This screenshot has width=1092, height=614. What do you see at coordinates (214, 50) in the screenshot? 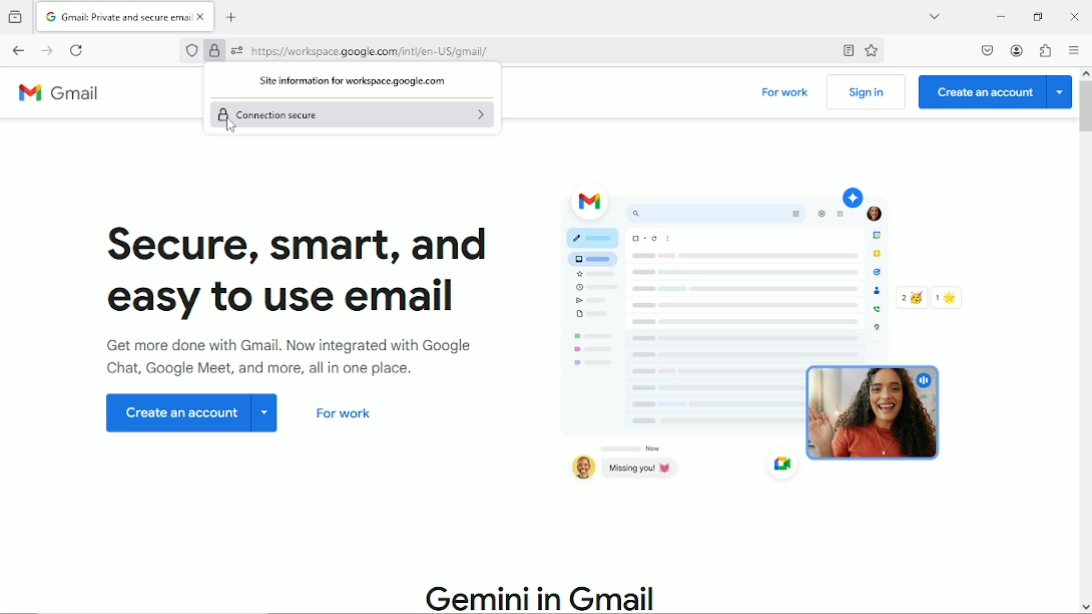
I see `Verified by Google Trust Services` at bounding box center [214, 50].